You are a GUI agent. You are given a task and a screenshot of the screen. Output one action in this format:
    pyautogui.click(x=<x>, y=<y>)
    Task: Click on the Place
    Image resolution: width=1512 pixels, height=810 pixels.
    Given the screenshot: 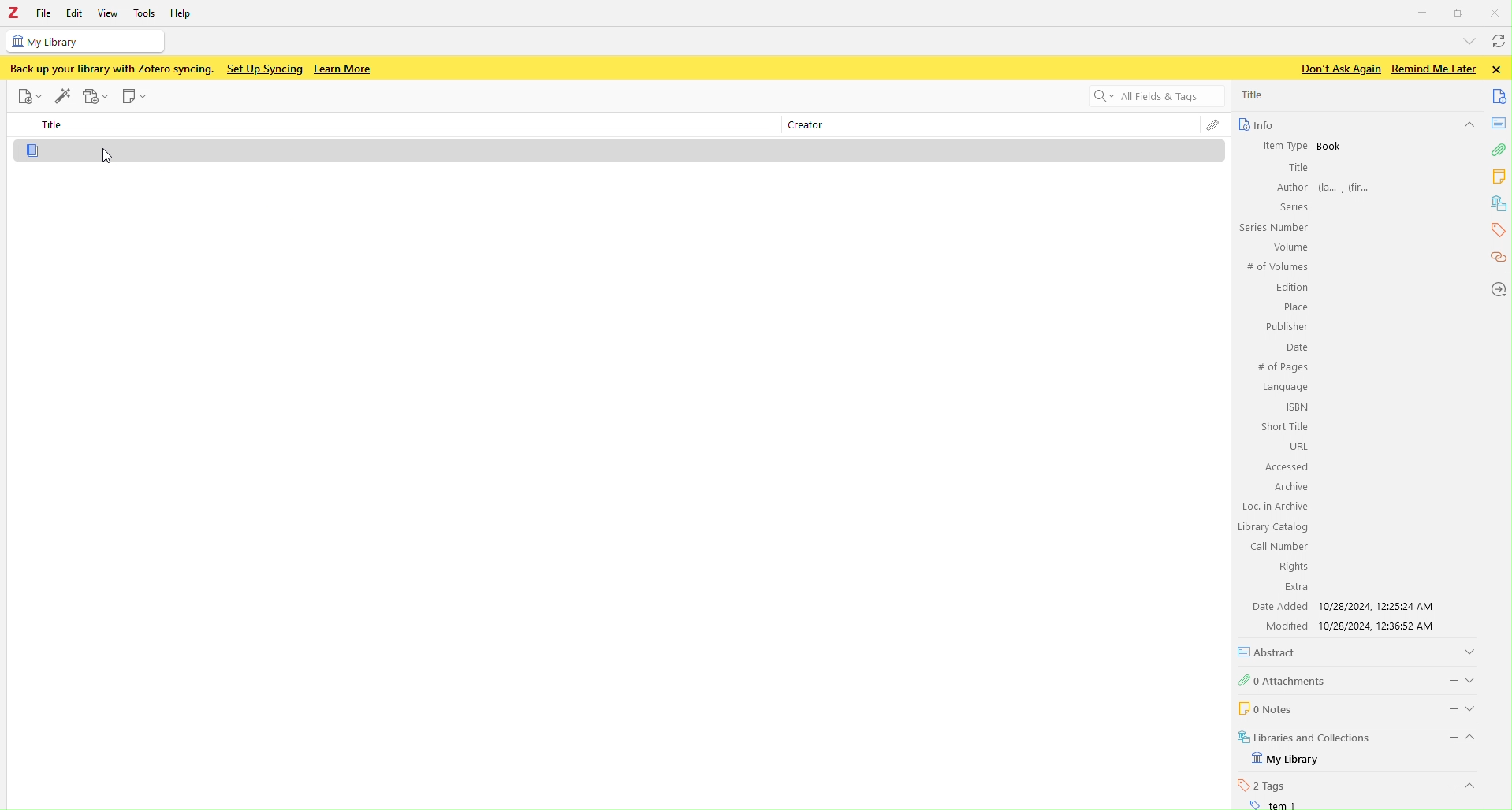 What is the action you would take?
    pyautogui.click(x=1294, y=307)
    